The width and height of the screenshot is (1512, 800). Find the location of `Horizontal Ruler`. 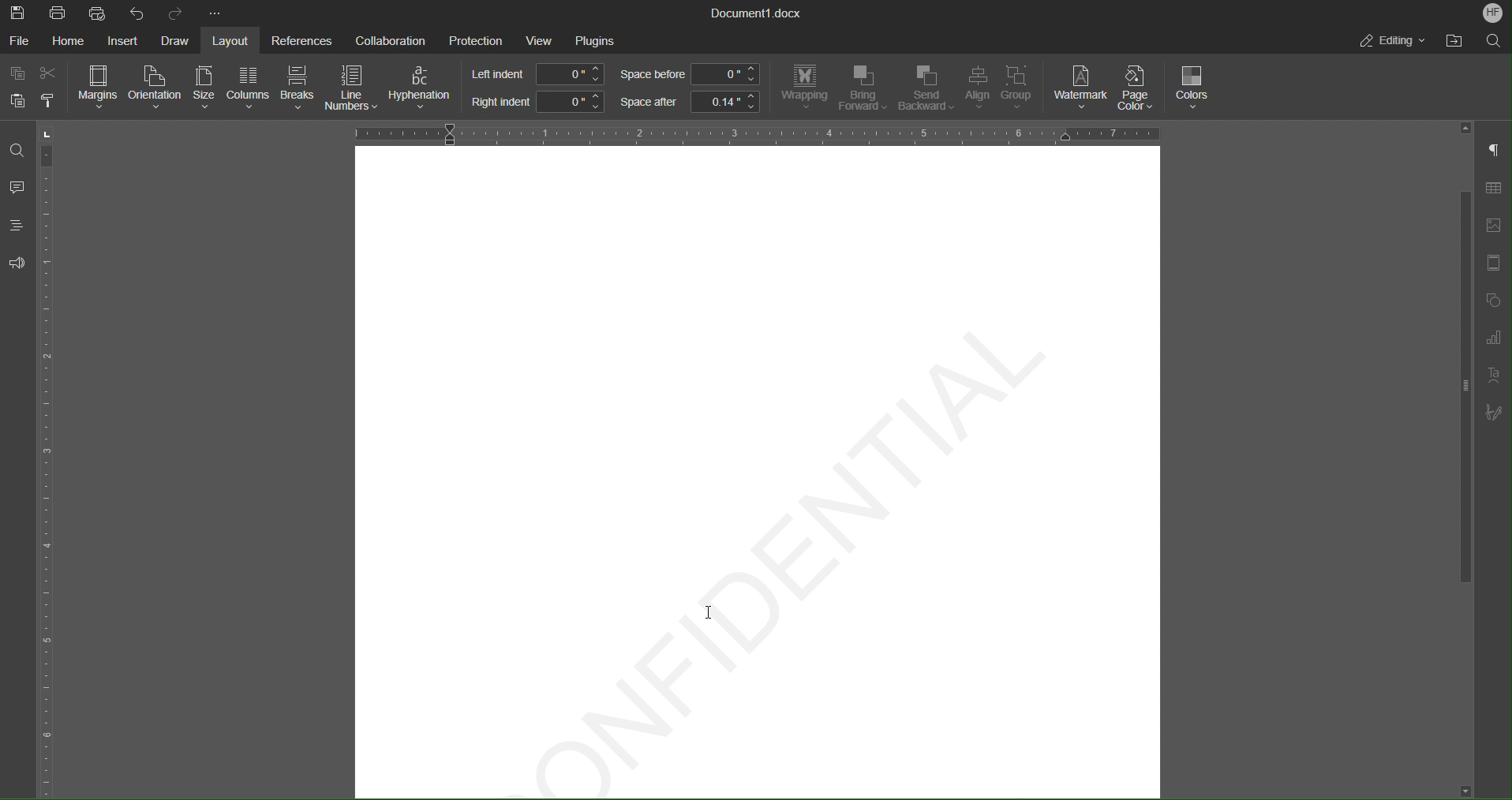

Horizontal Ruler is located at coordinates (750, 132).